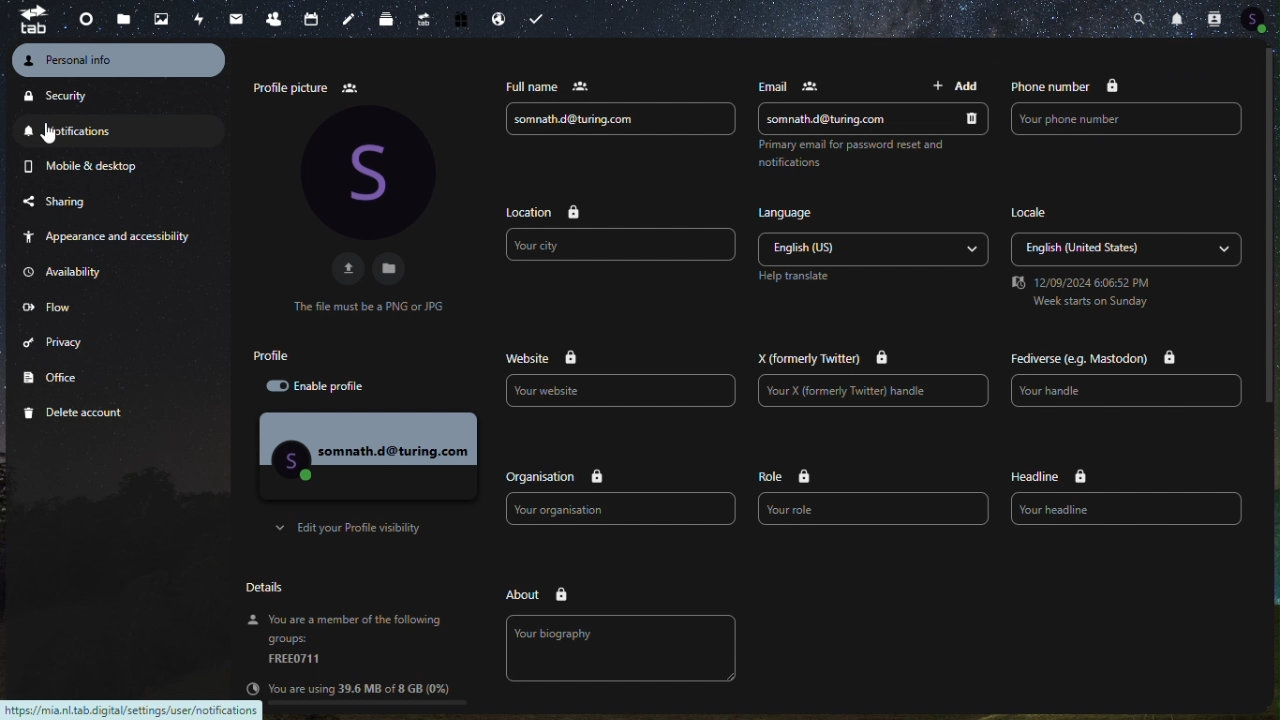  Describe the element at coordinates (874, 510) in the screenshot. I see `Your role` at that location.